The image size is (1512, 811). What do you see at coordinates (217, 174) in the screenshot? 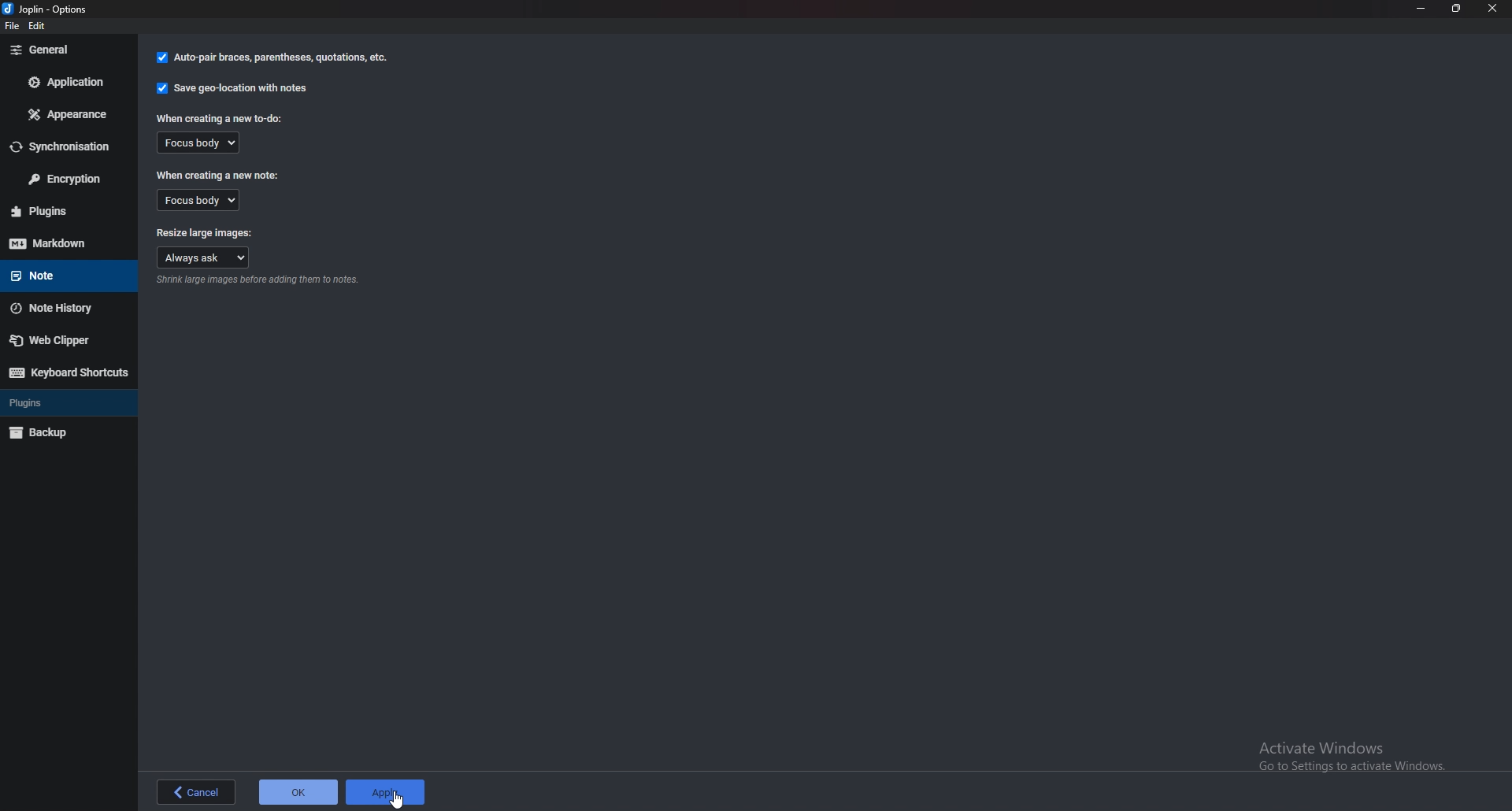
I see `when creating a new note` at bounding box center [217, 174].